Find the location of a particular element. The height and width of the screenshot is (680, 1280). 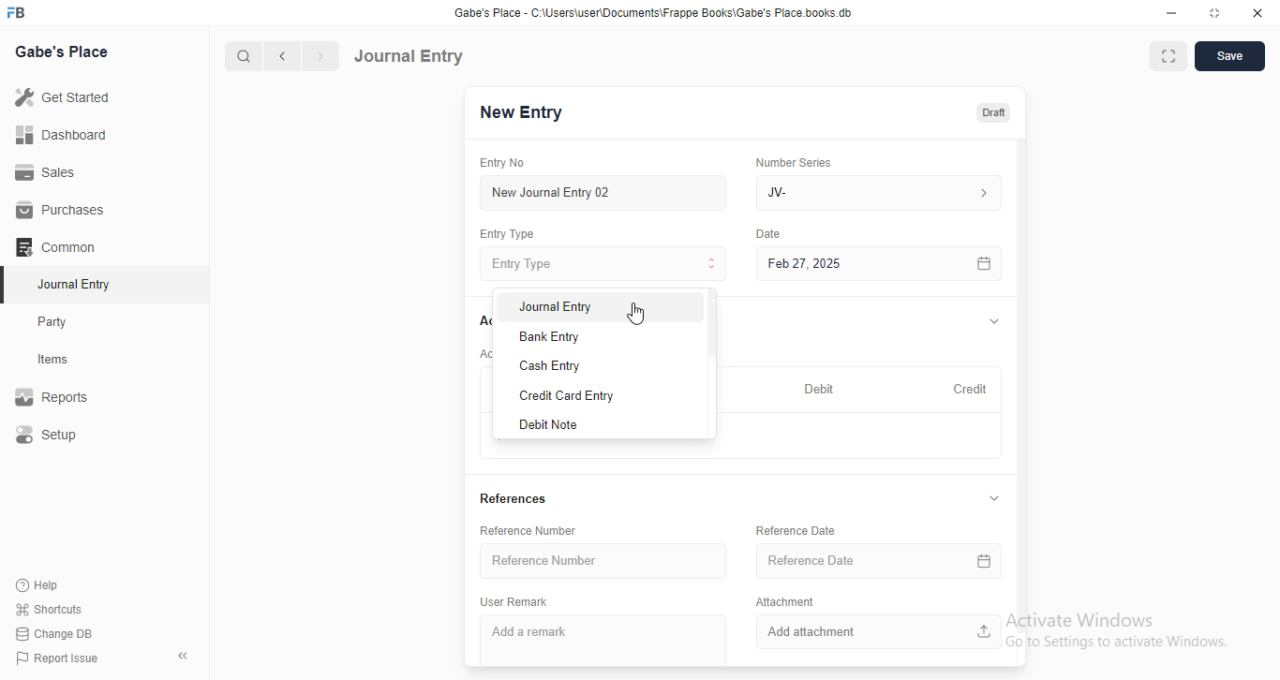

cursor is located at coordinates (639, 315).